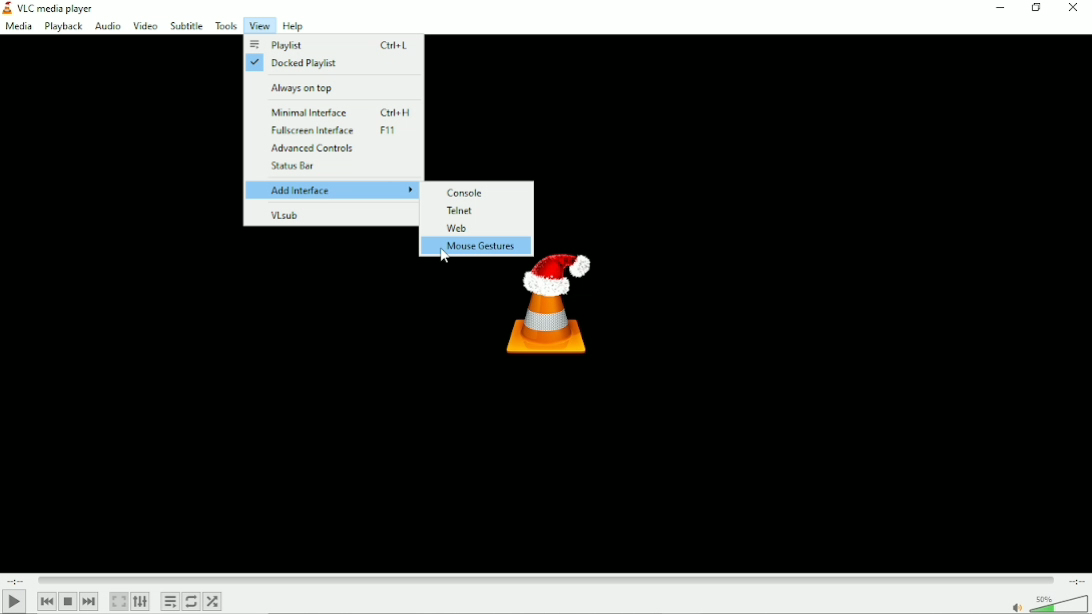 The image size is (1092, 614). What do you see at coordinates (480, 228) in the screenshot?
I see `Web` at bounding box center [480, 228].